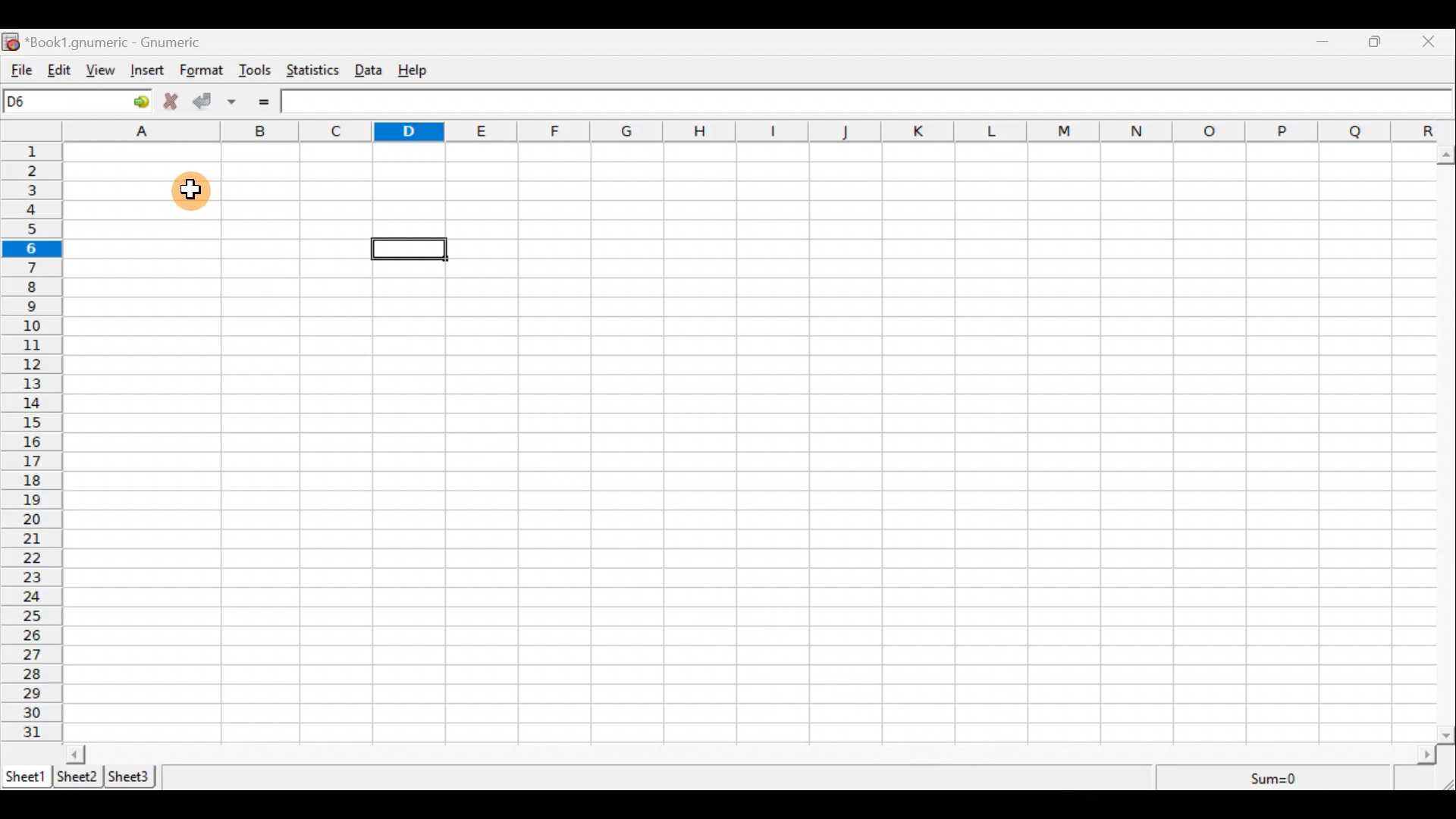 Image resolution: width=1456 pixels, height=819 pixels. Describe the element at coordinates (202, 71) in the screenshot. I see `Format` at that location.